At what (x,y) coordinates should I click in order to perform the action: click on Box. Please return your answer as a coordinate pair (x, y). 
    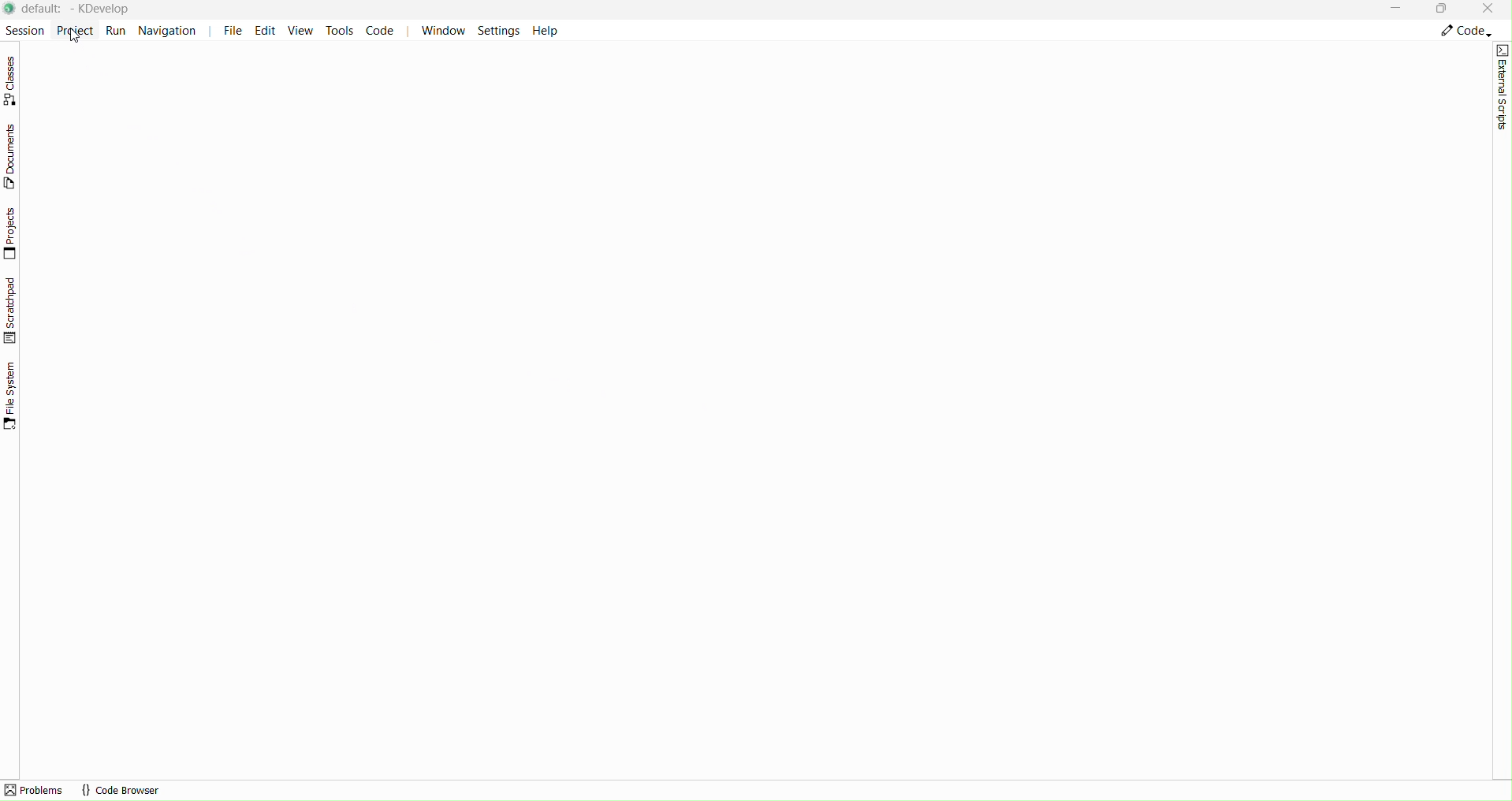
    Looking at the image, I should click on (1443, 10).